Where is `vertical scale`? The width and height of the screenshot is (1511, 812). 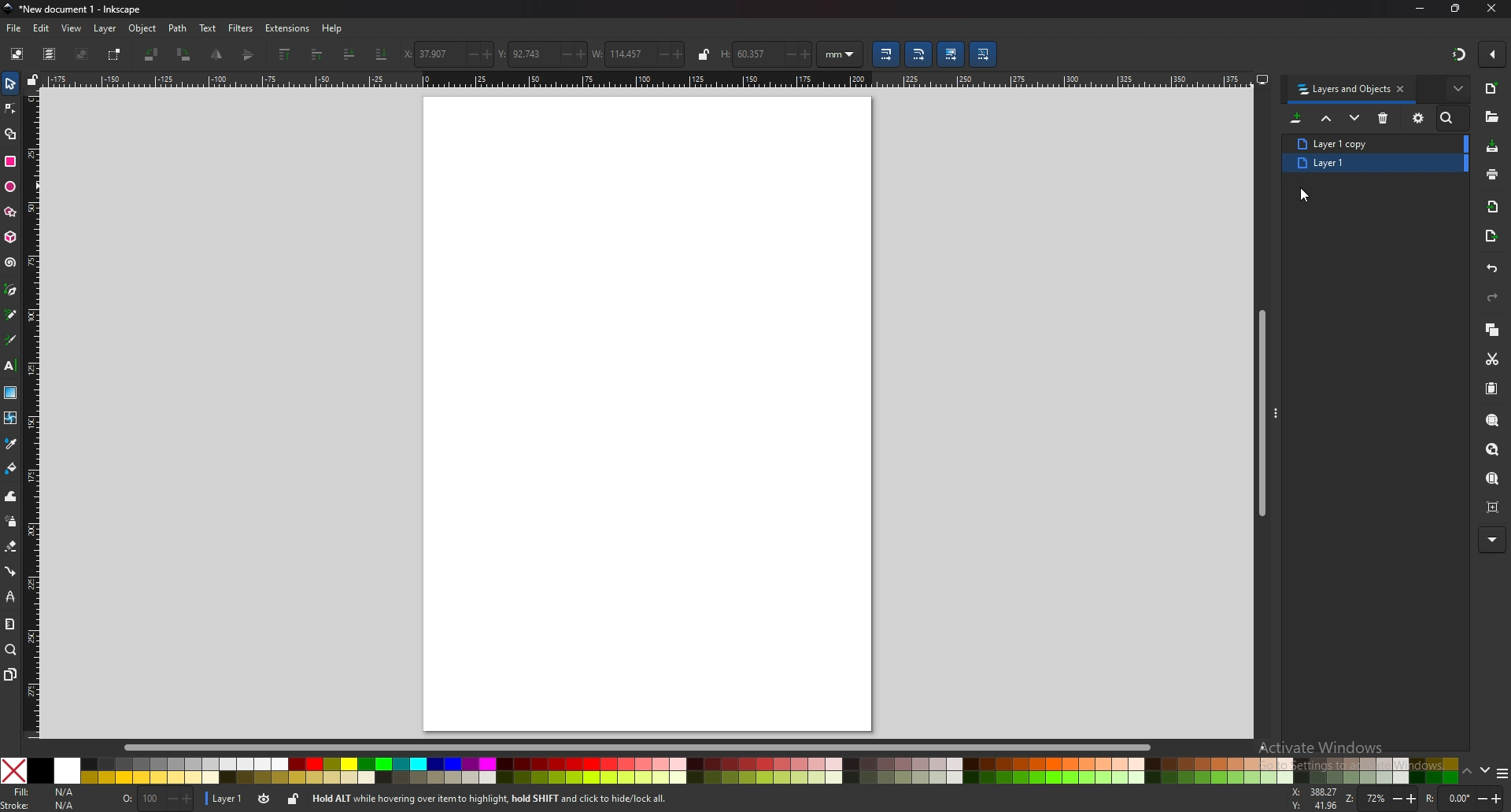 vertical scale is located at coordinates (33, 410).